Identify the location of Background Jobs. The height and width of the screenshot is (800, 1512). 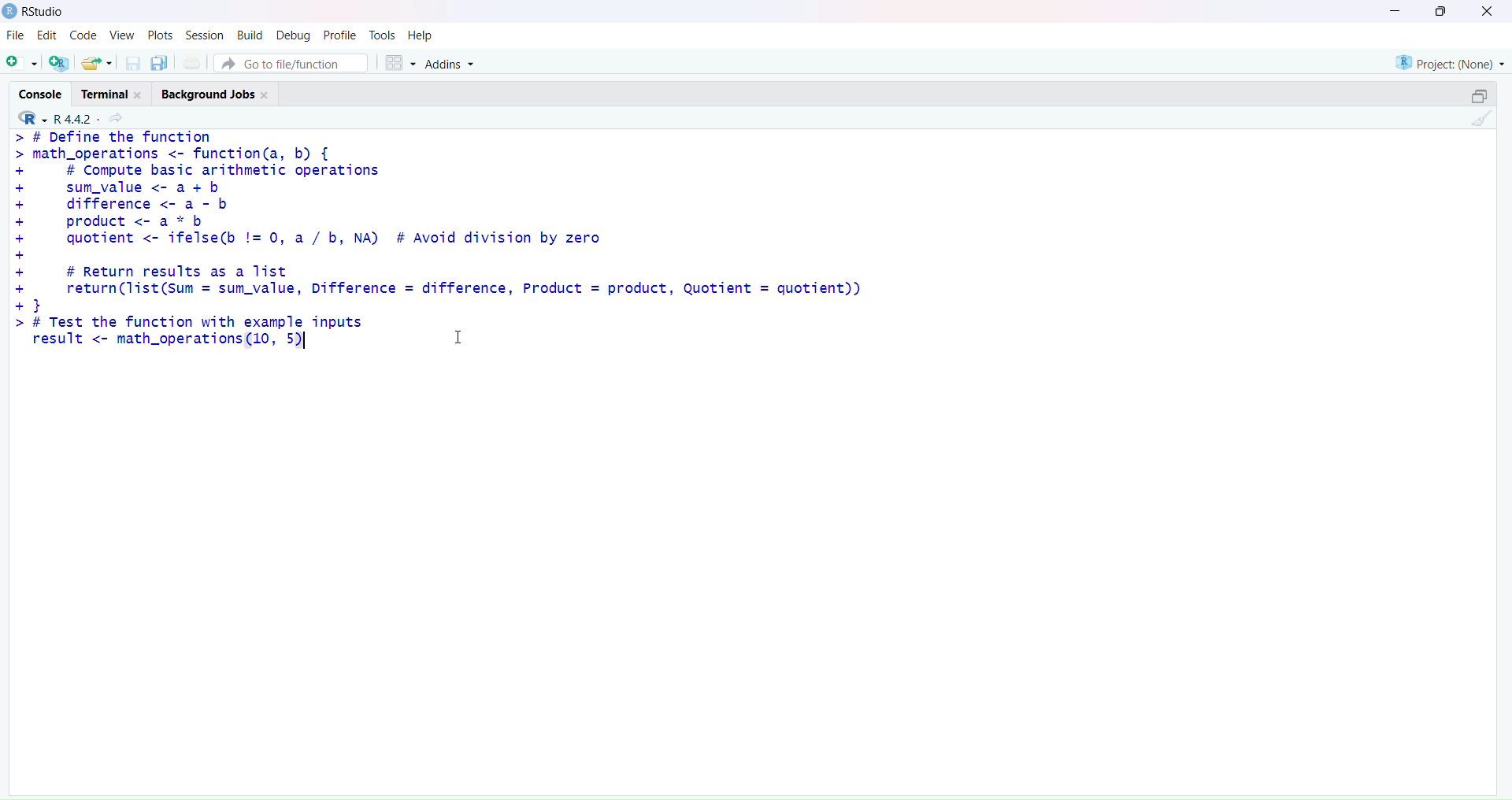
(216, 94).